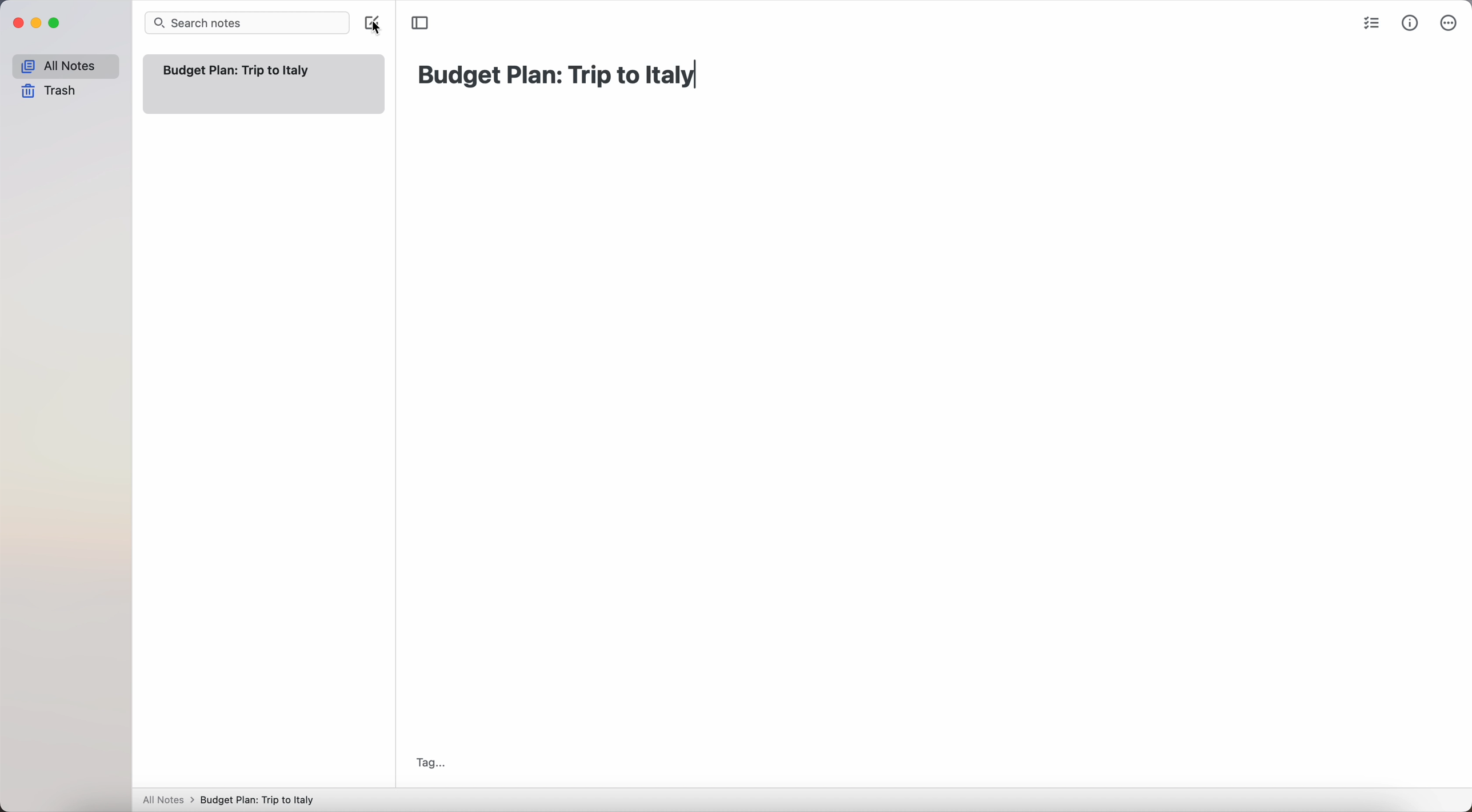 This screenshot has height=812, width=1472. I want to click on maximize, so click(57, 23).